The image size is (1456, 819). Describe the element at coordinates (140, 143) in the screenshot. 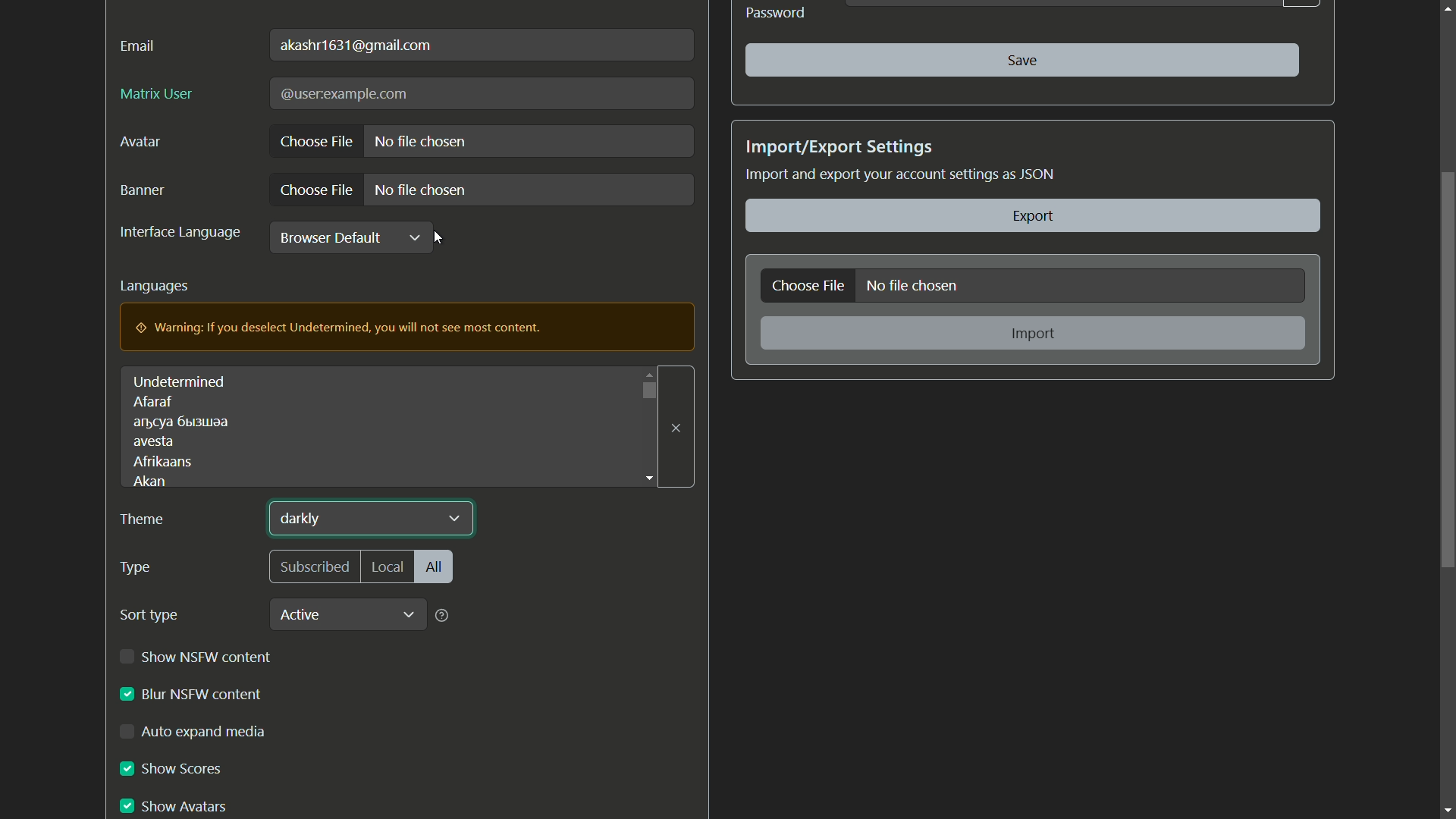

I see `avatar` at that location.